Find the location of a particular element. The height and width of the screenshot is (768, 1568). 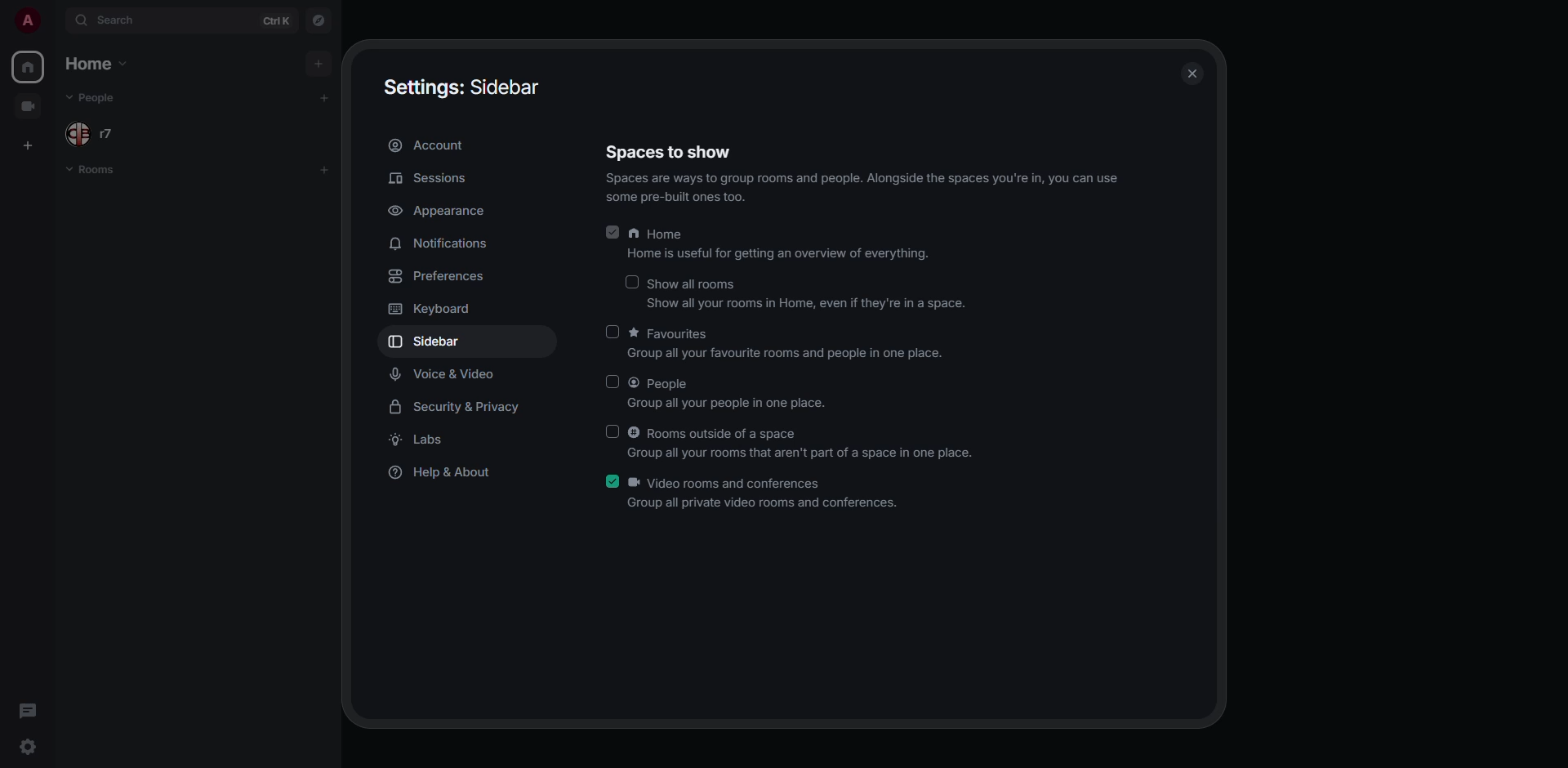

ctrl K is located at coordinates (276, 19).